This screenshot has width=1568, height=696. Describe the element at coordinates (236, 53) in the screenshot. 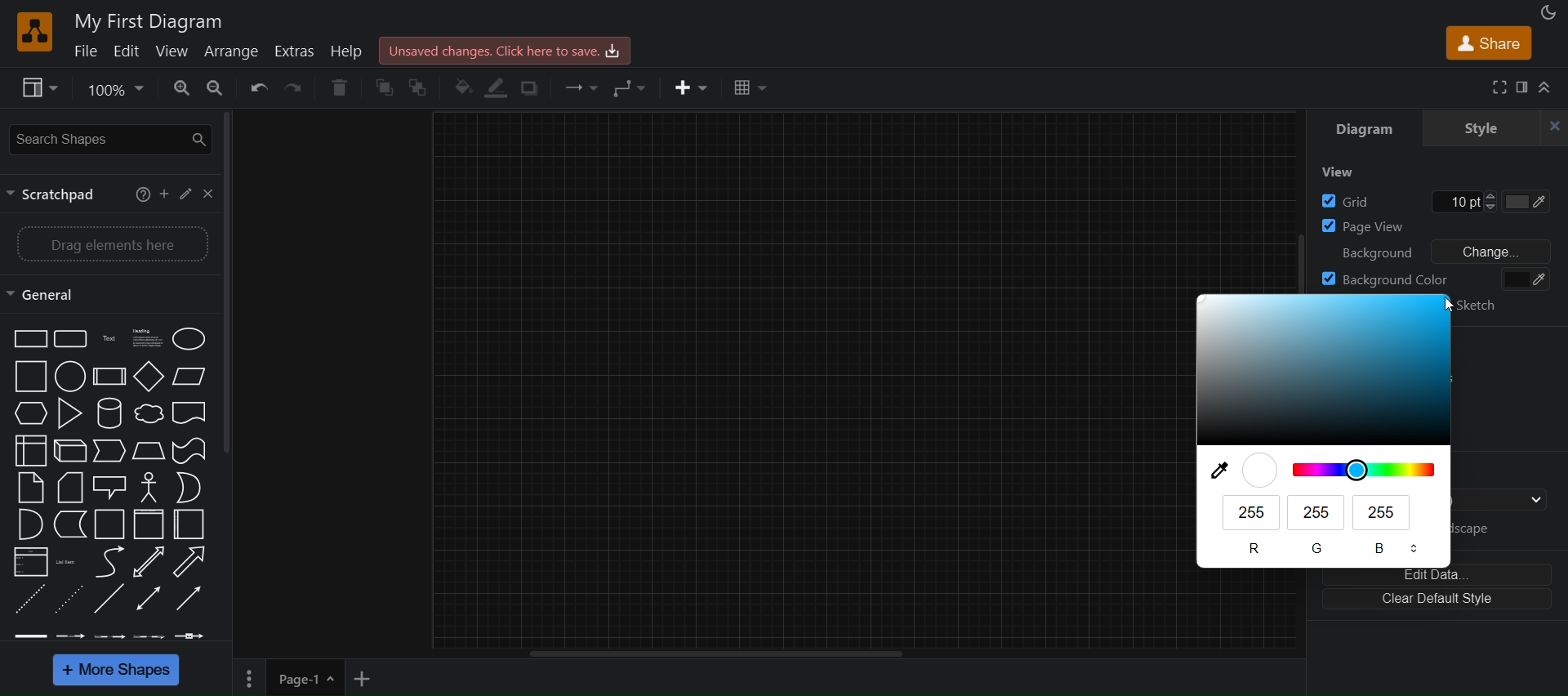

I see `arrange` at that location.